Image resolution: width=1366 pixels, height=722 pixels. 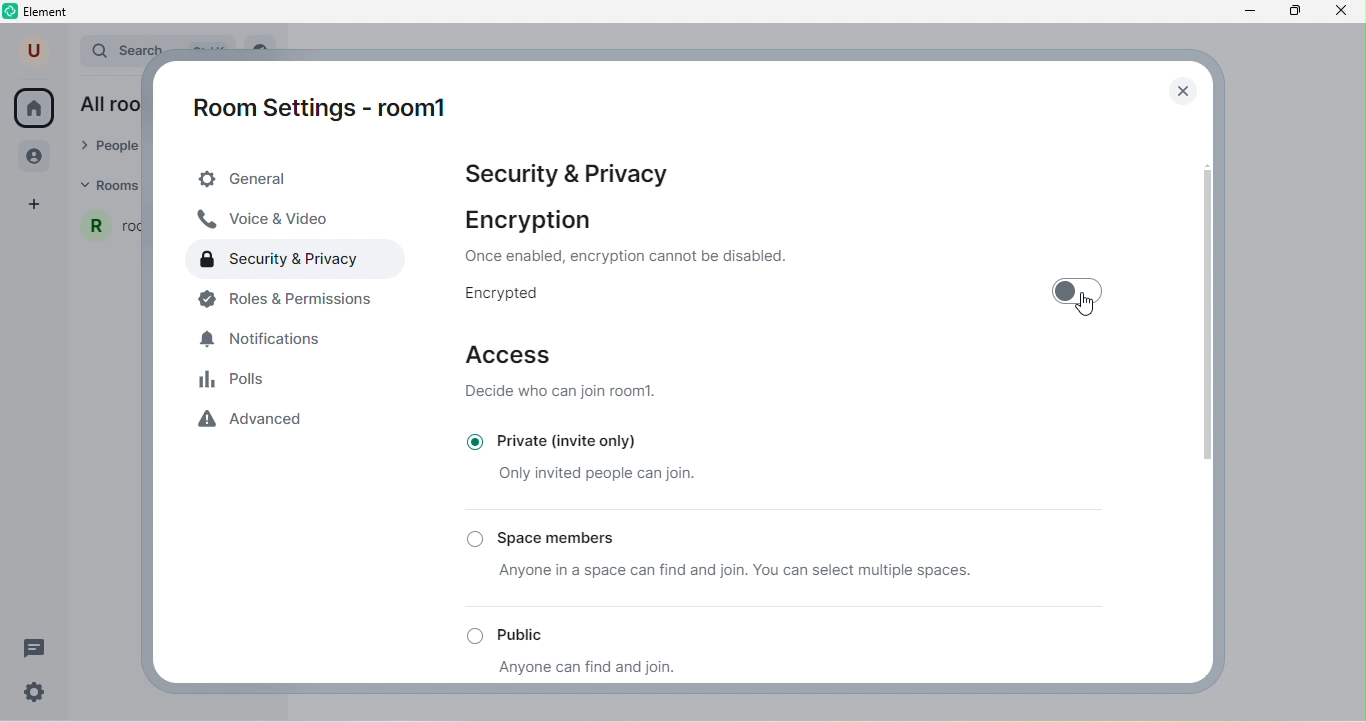 I want to click on close, so click(x=1346, y=14).